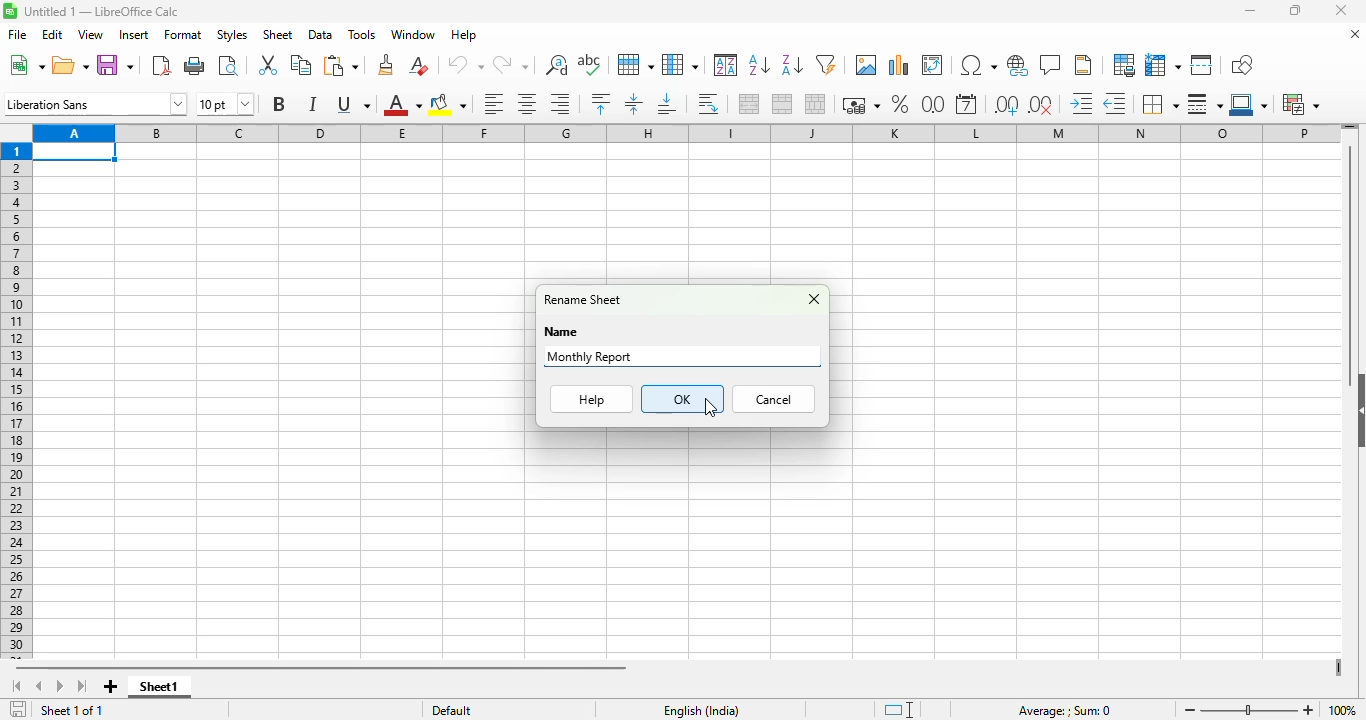 This screenshot has height=720, width=1366. Describe the element at coordinates (726, 65) in the screenshot. I see `sort` at that location.